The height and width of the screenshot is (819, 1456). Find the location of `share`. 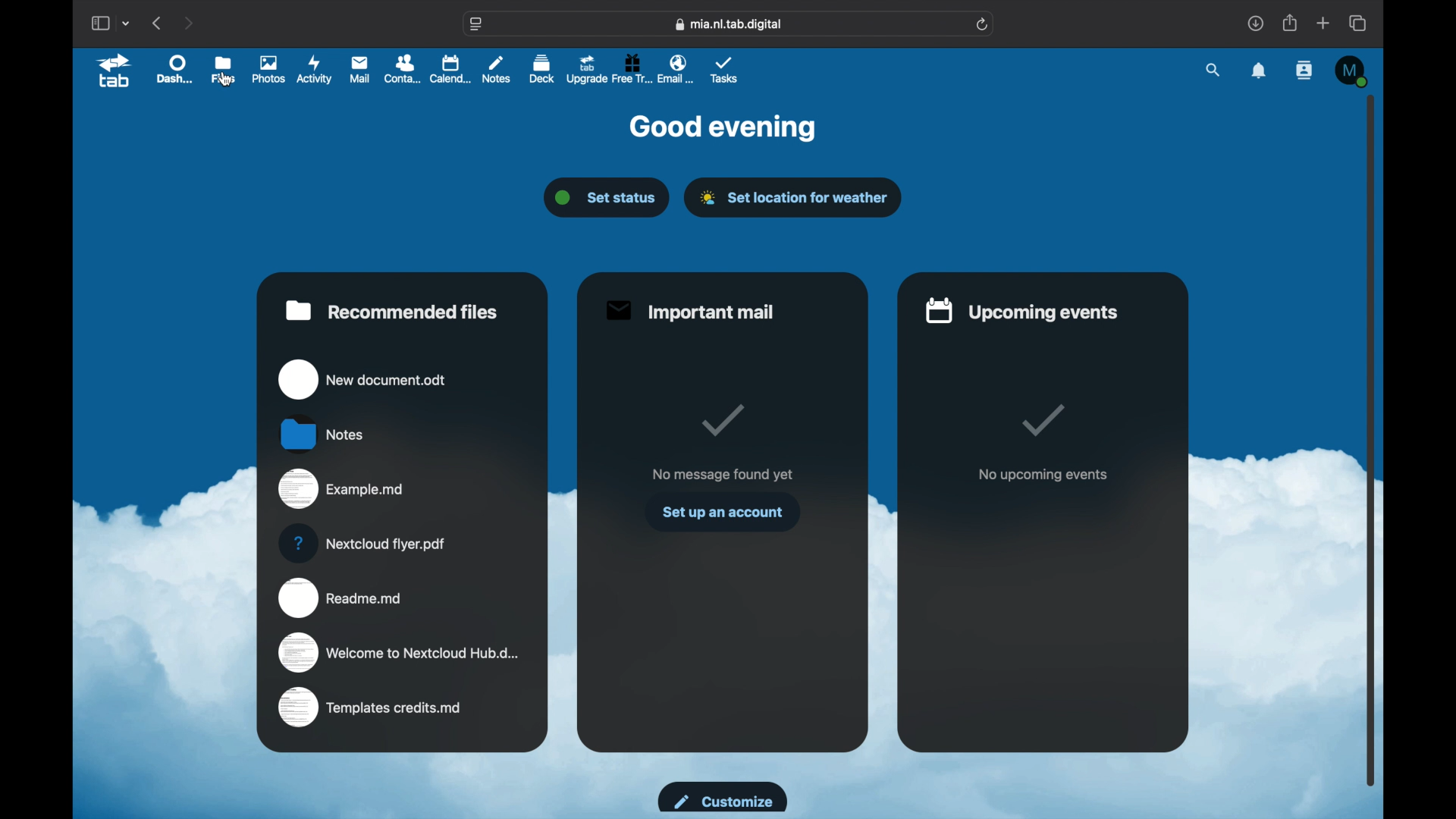

share is located at coordinates (1291, 23).